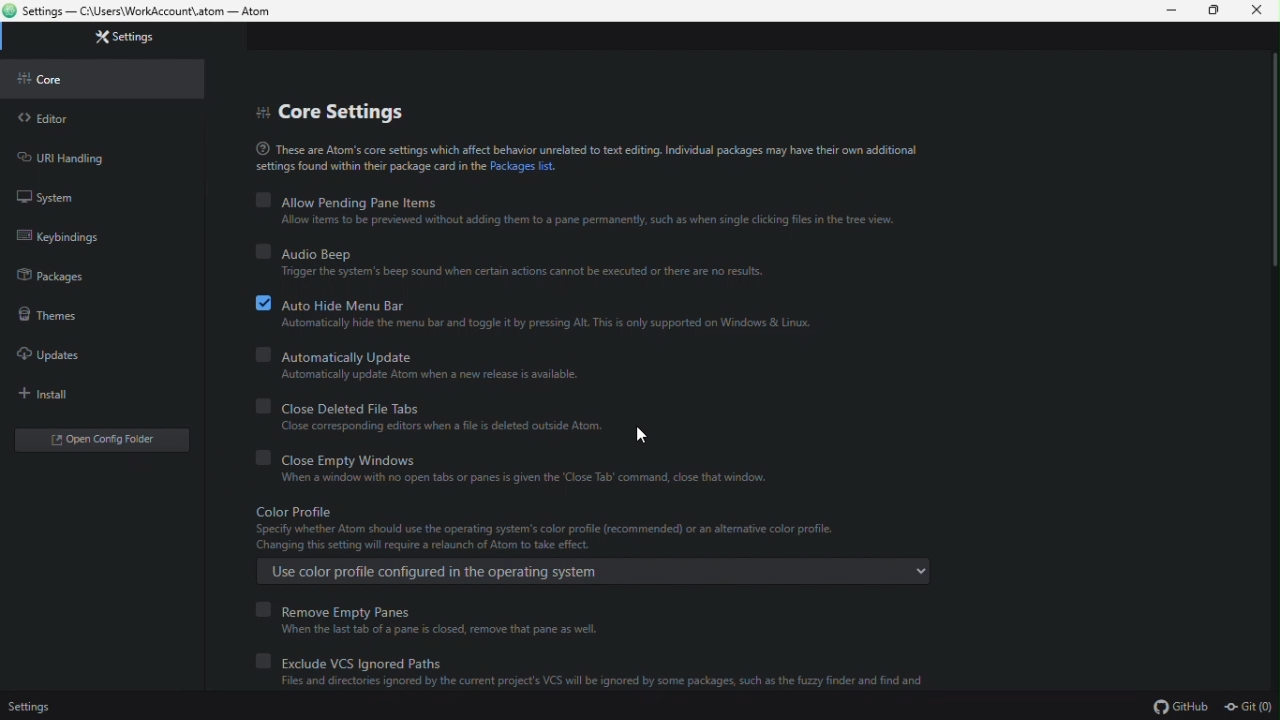  Describe the element at coordinates (426, 364) in the screenshot. I see `Automatically update` at that location.